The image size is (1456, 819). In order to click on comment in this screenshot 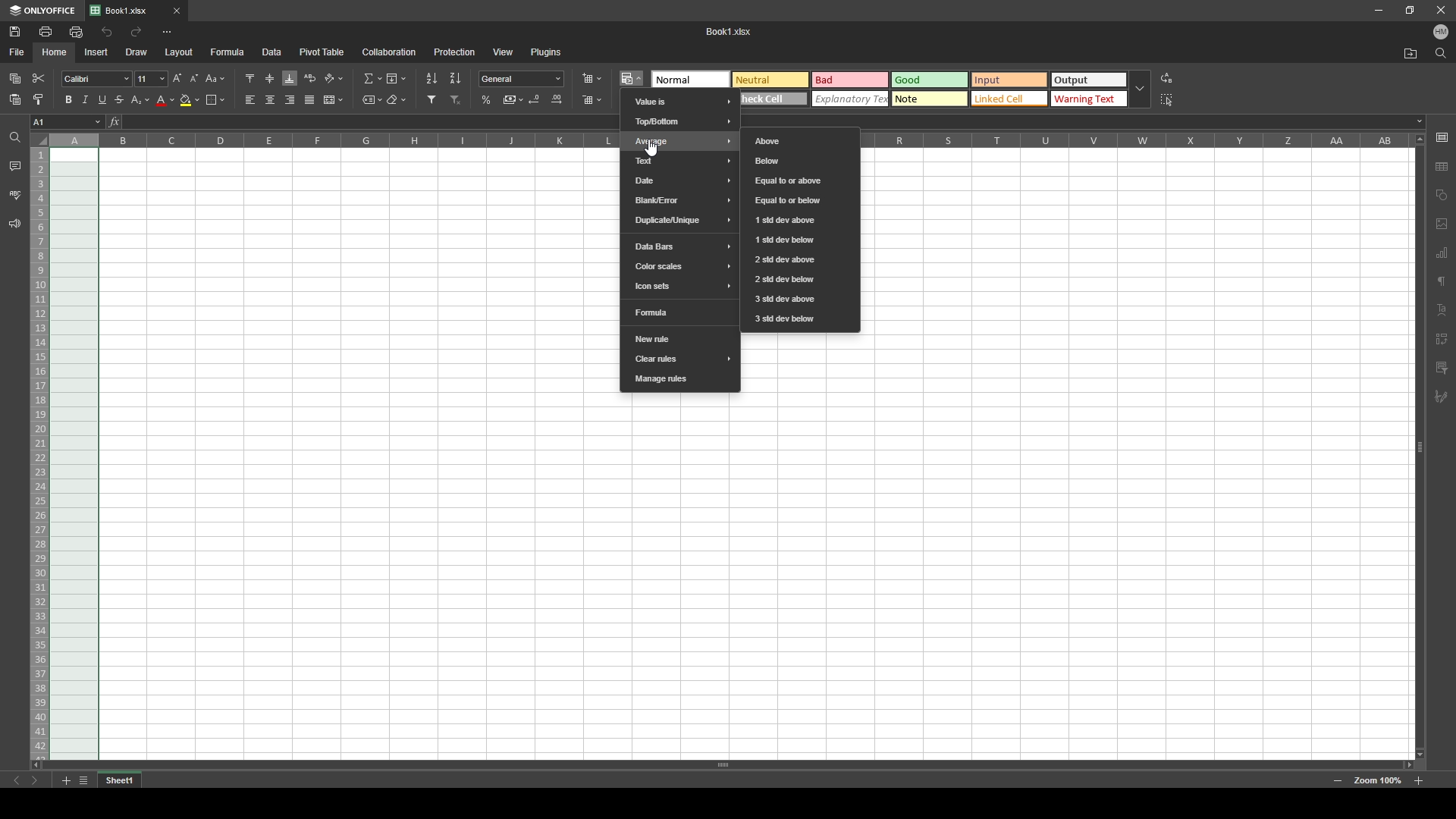, I will do `click(1444, 366)`.